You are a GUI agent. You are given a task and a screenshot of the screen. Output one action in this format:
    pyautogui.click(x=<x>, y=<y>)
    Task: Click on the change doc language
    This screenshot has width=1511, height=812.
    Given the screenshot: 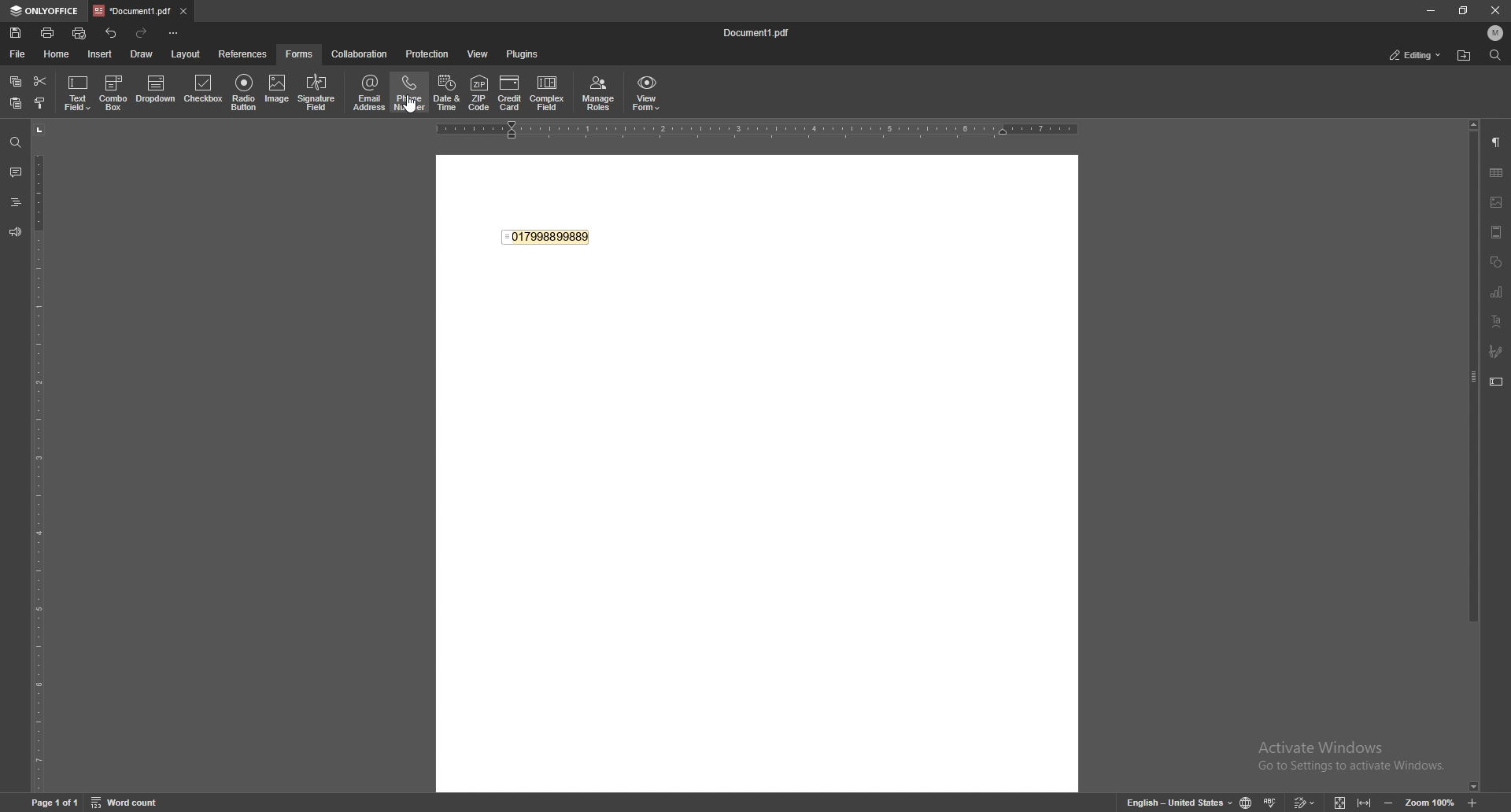 What is the action you would take?
    pyautogui.click(x=1247, y=803)
    